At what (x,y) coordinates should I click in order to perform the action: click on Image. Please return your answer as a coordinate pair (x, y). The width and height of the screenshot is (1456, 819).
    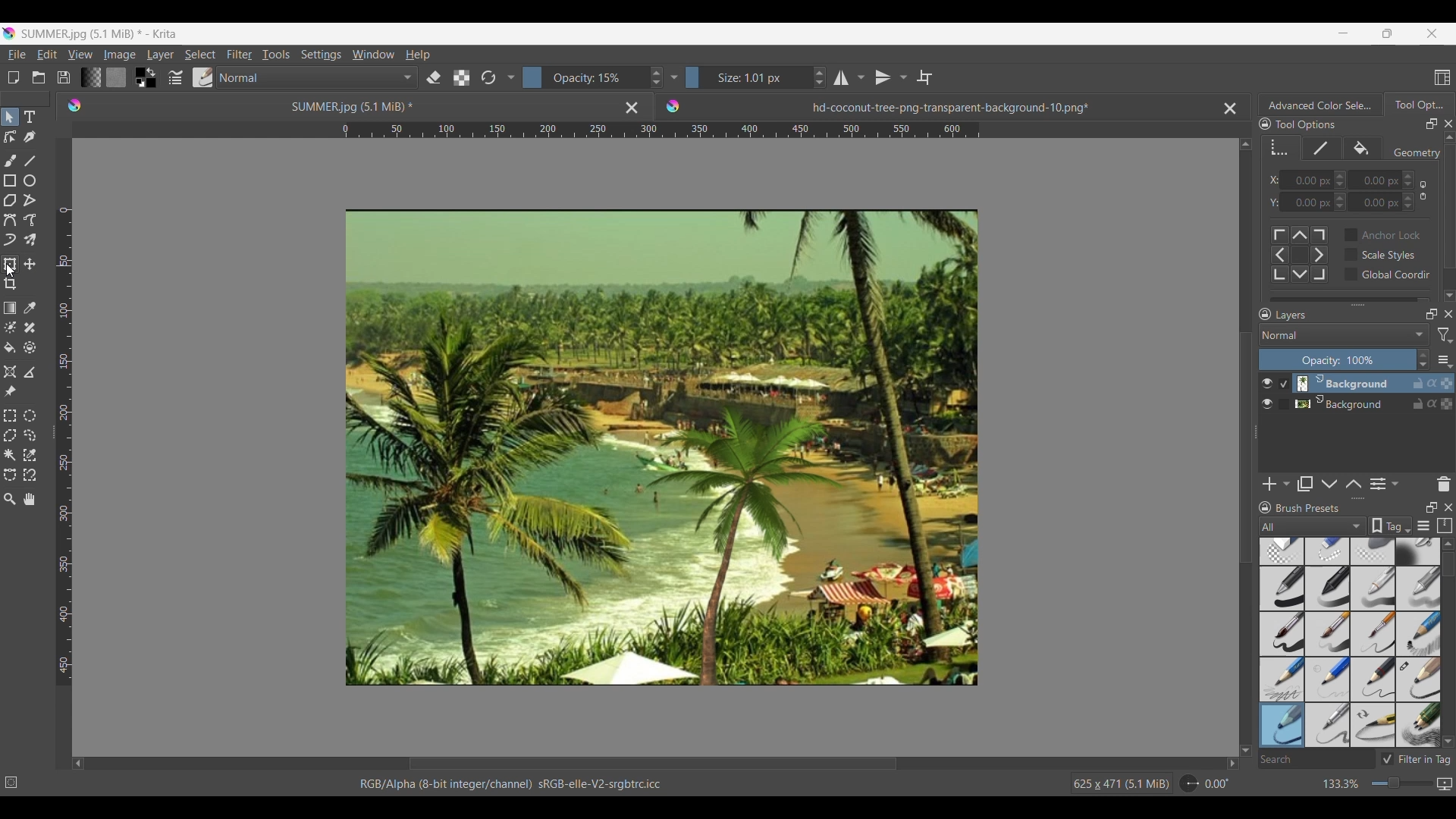
    Looking at the image, I should click on (119, 55).